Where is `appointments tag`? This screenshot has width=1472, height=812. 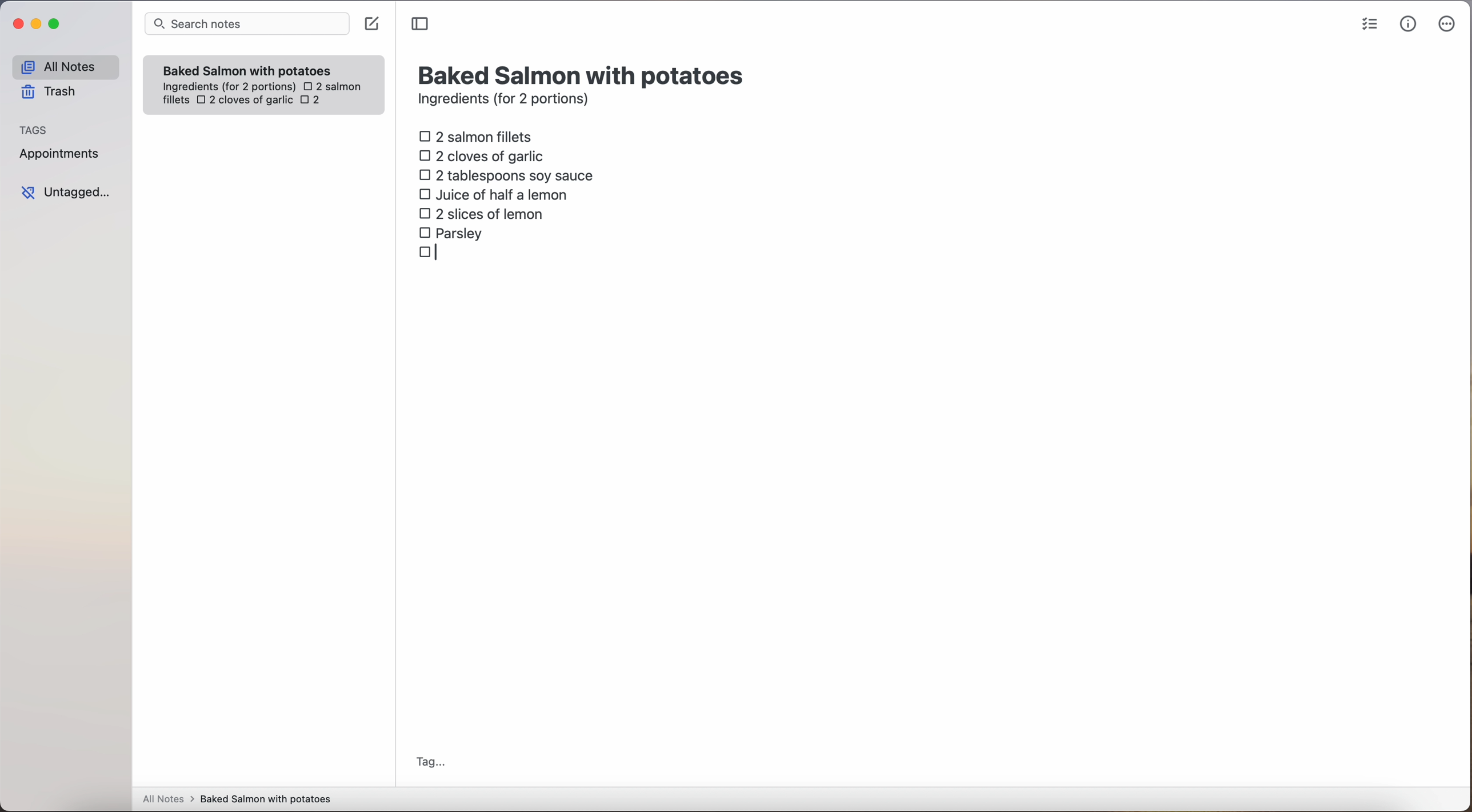
appointments tag is located at coordinates (61, 151).